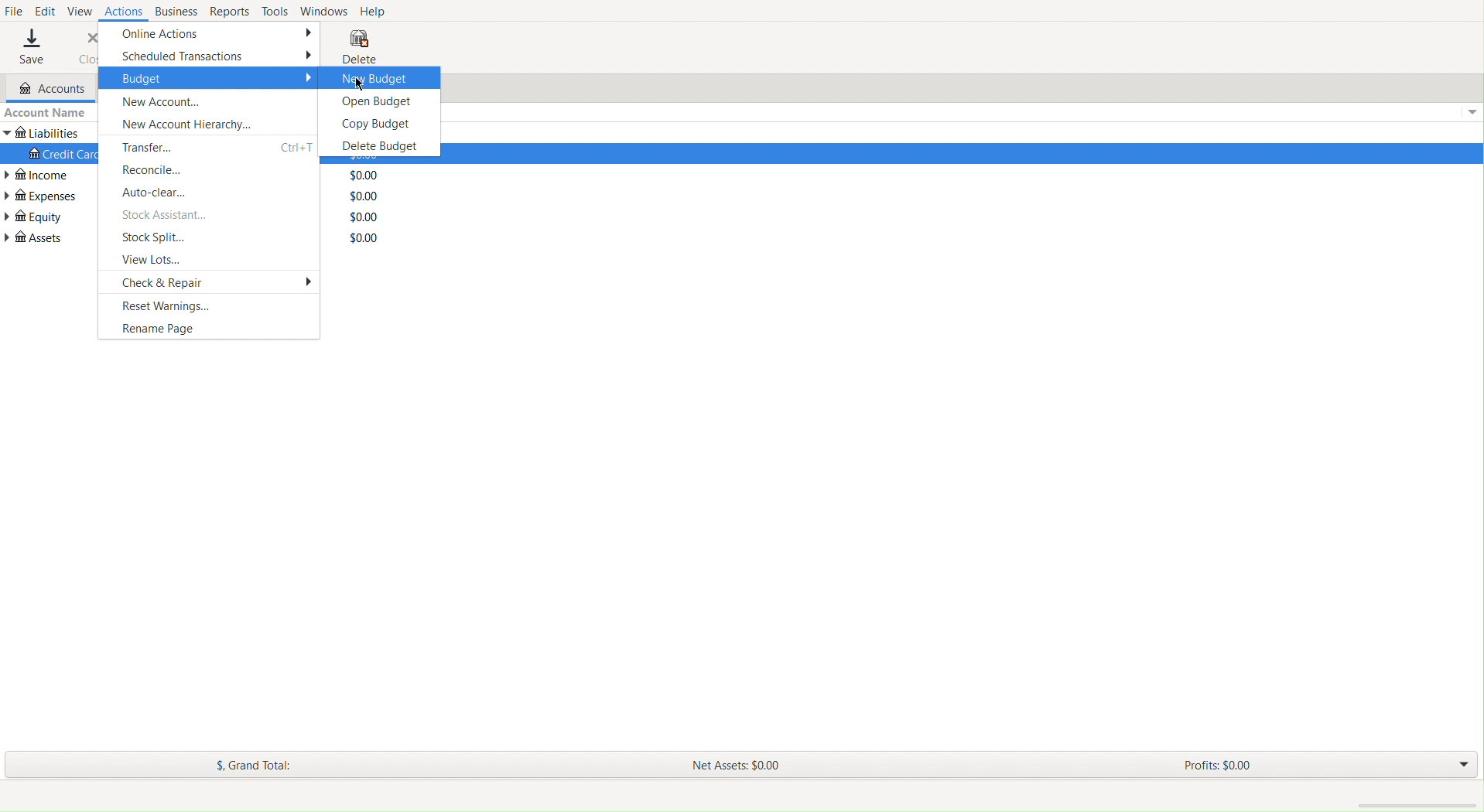 Image resolution: width=1484 pixels, height=812 pixels. Describe the element at coordinates (174, 12) in the screenshot. I see `Business` at that location.